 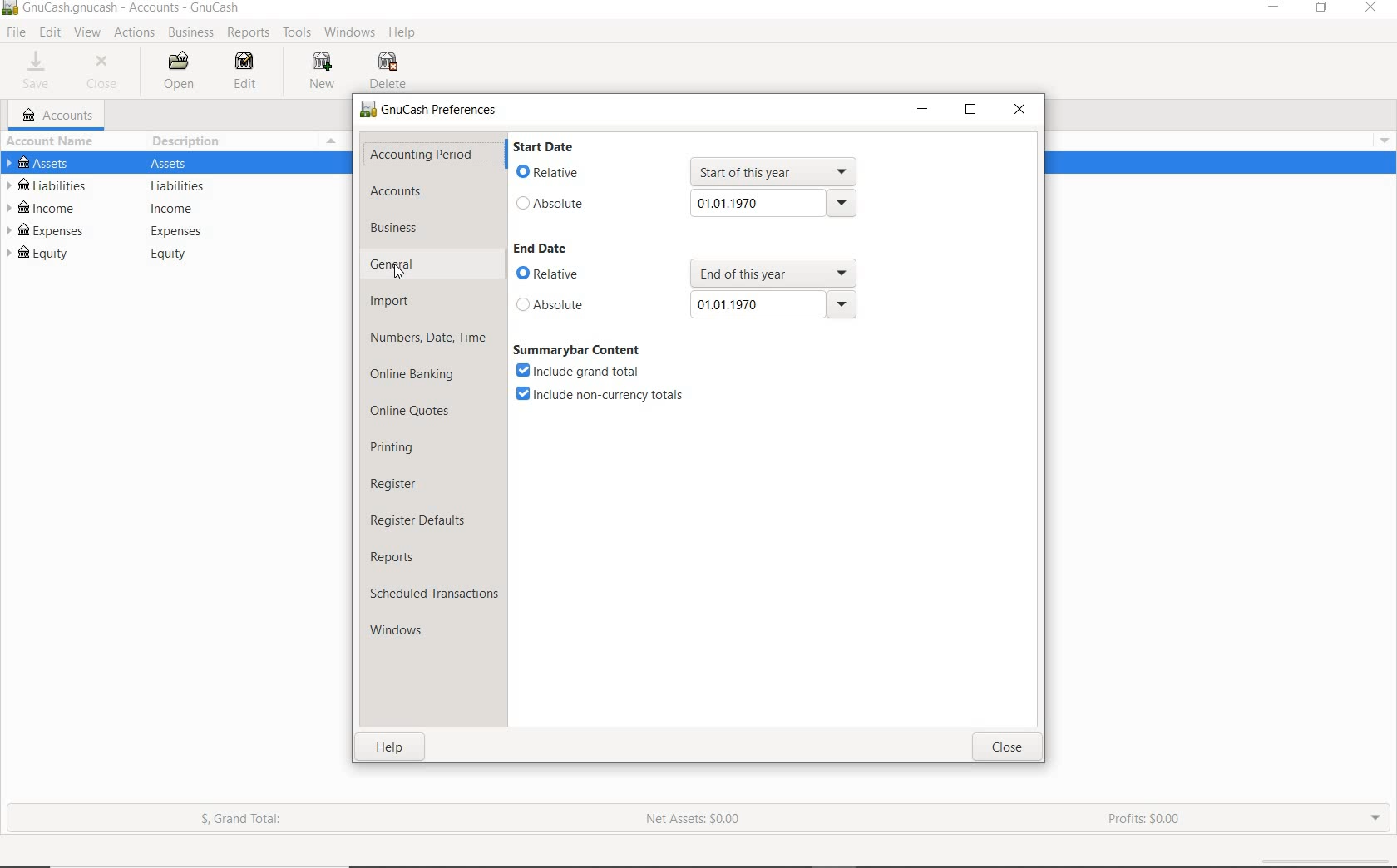 What do you see at coordinates (419, 520) in the screenshot?
I see `REGISTER DEFAULTS` at bounding box center [419, 520].